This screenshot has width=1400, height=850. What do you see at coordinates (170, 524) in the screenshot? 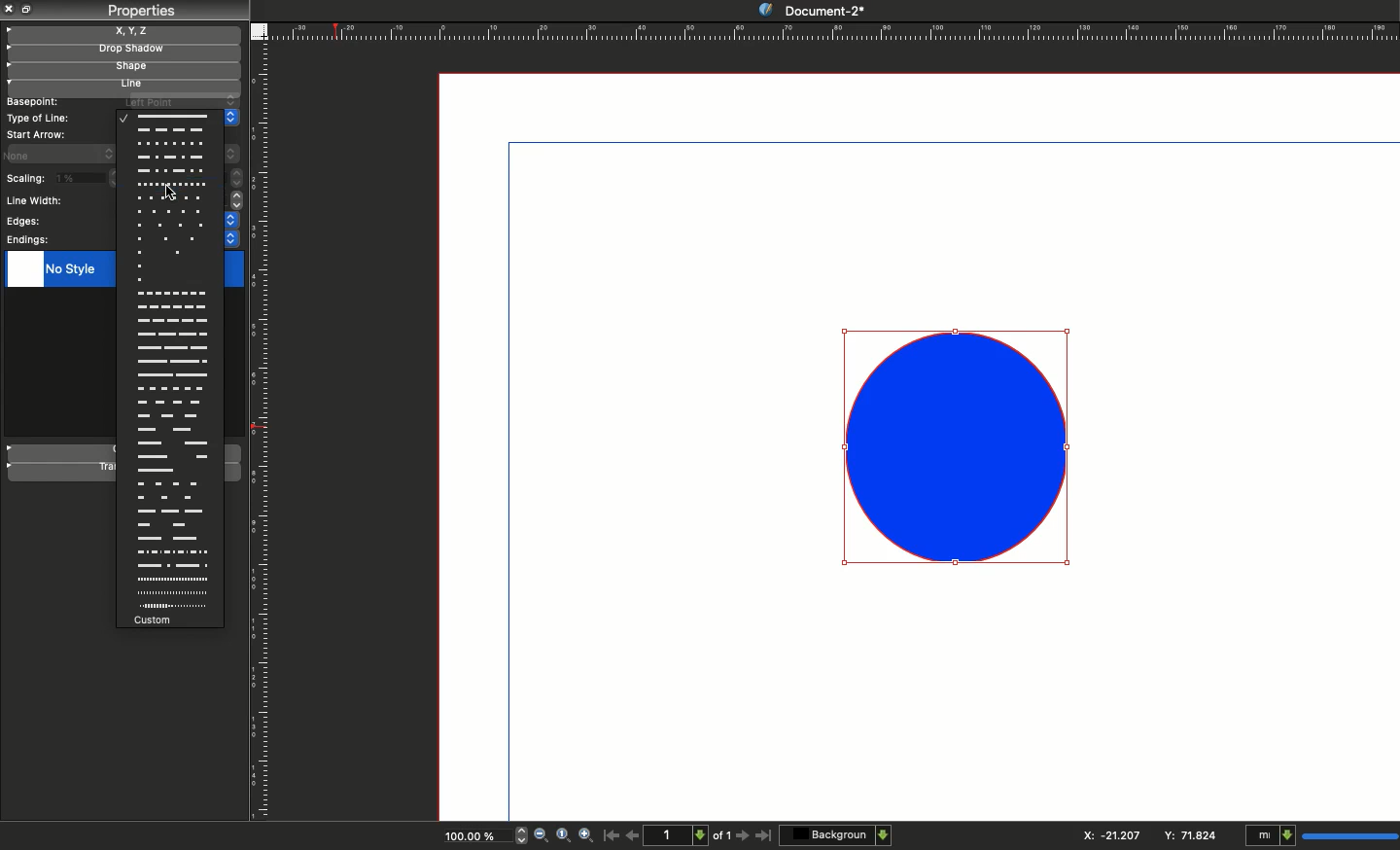
I see `line option` at bounding box center [170, 524].